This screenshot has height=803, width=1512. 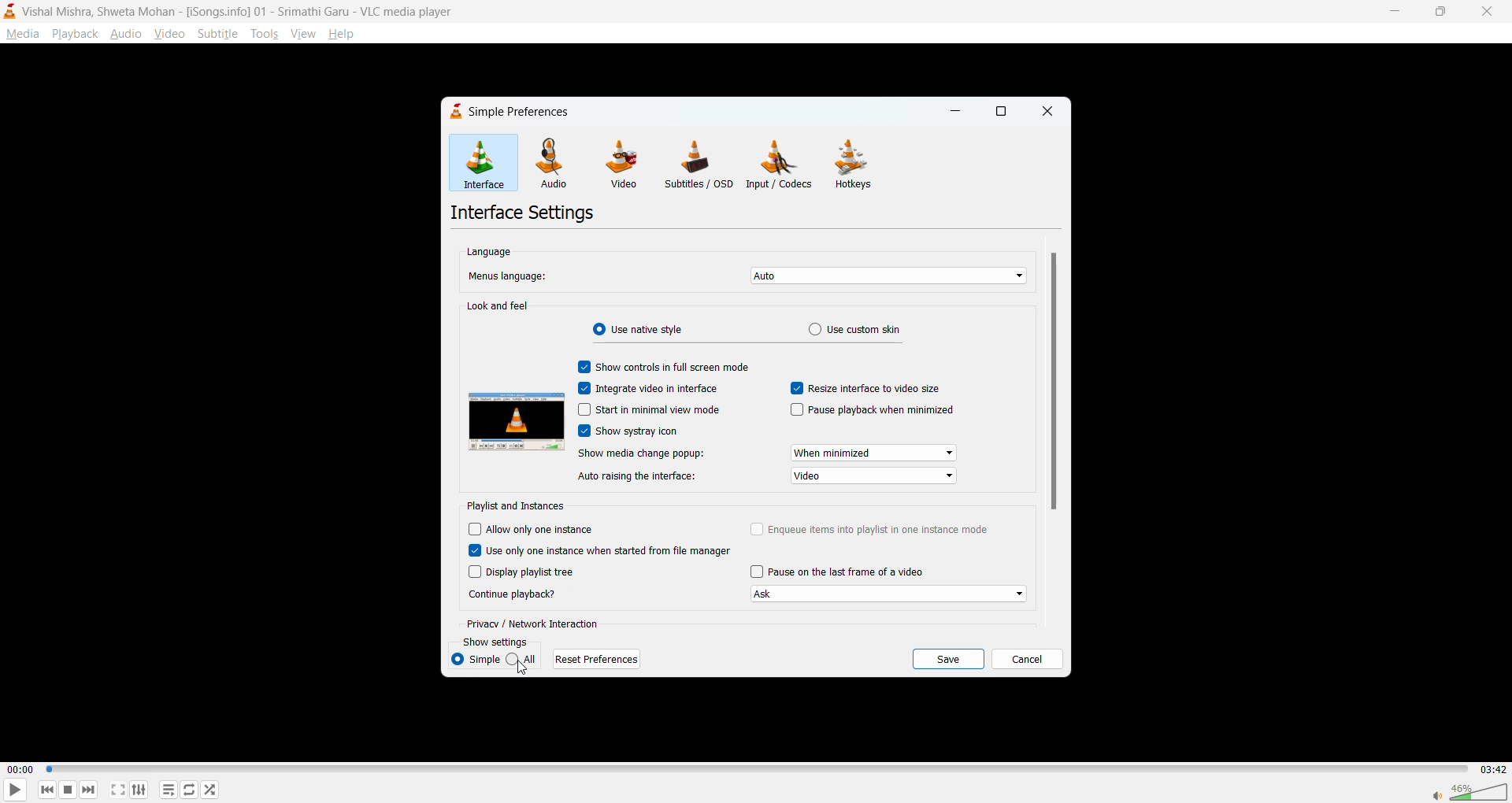 What do you see at coordinates (1469, 790) in the screenshot?
I see `volume` at bounding box center [1469, 790].